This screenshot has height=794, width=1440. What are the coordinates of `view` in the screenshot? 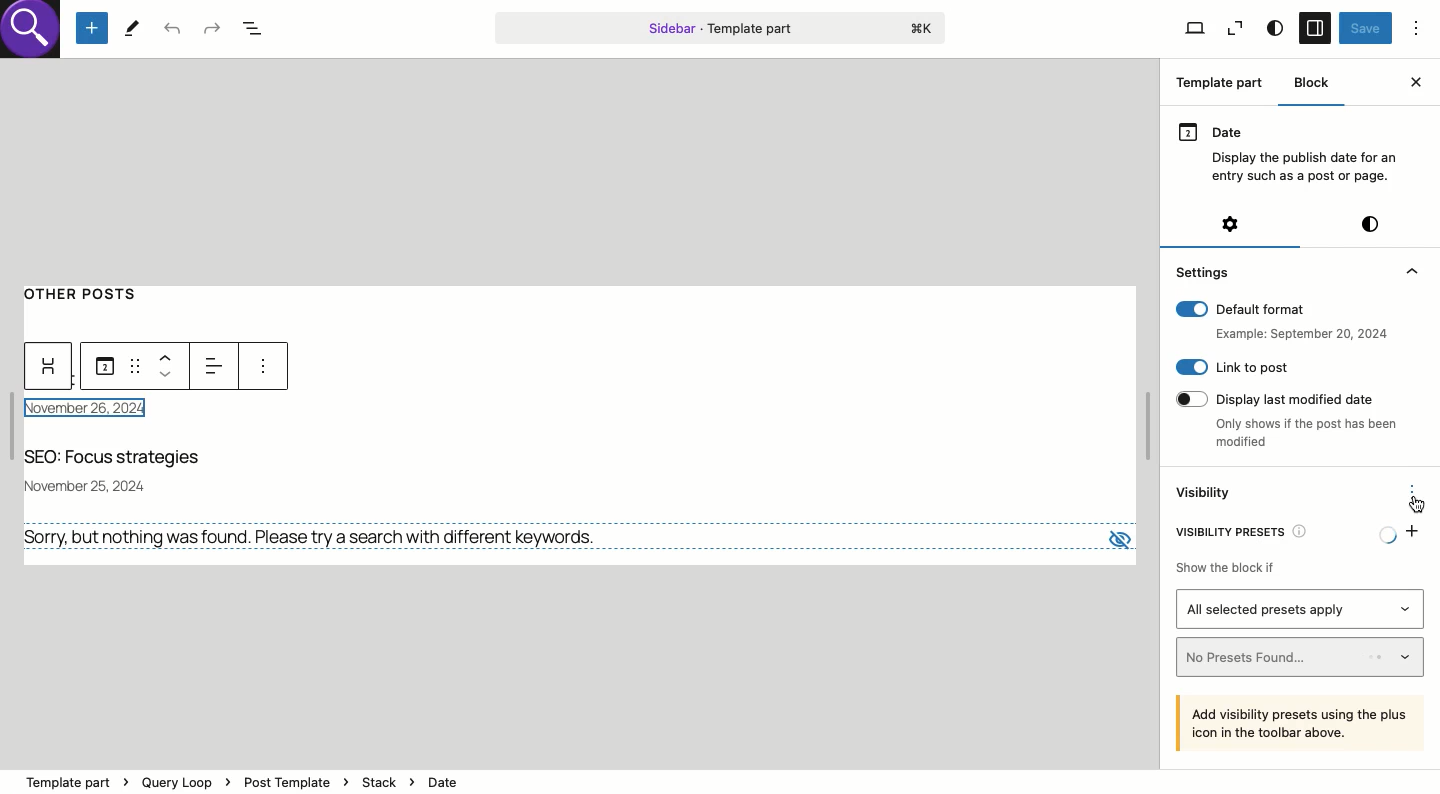 It's located at (1116, 534).